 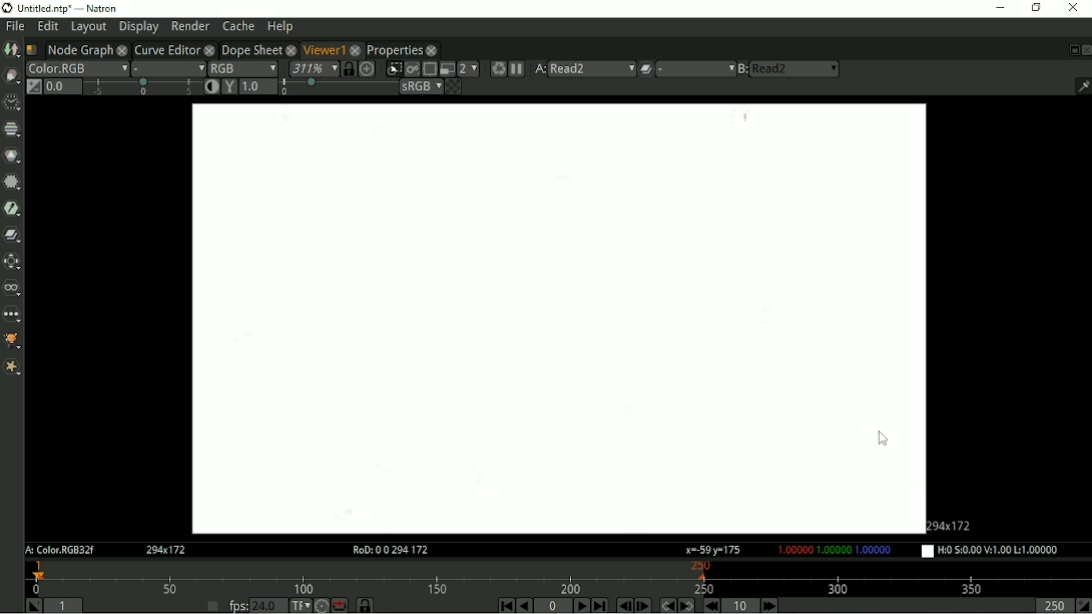 What do you see at coordinates (12, 260) in the screenshot?
I see `Transform` at bounding box center [12, 260].